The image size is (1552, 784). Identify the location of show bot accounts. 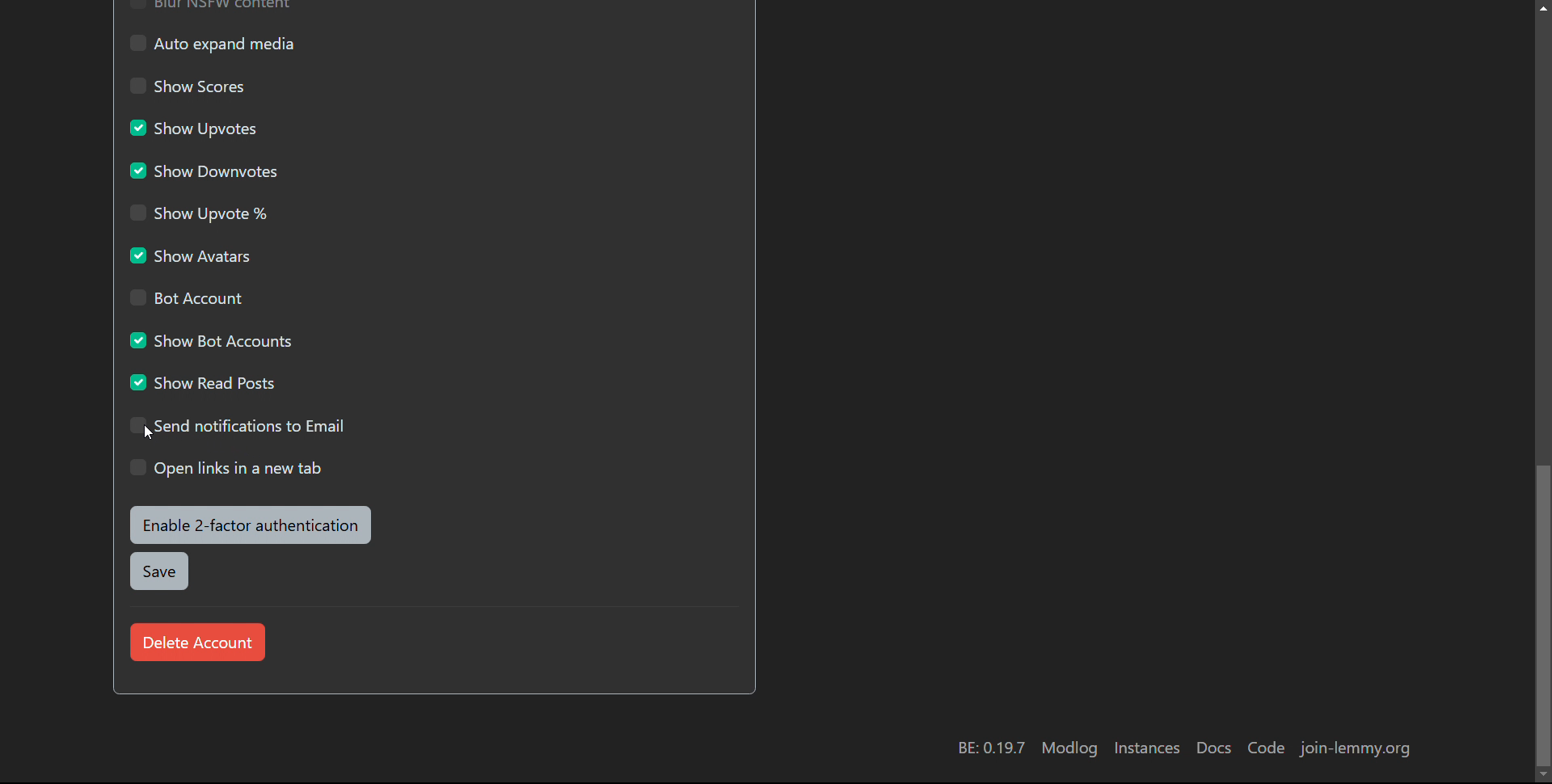
(209, 339).